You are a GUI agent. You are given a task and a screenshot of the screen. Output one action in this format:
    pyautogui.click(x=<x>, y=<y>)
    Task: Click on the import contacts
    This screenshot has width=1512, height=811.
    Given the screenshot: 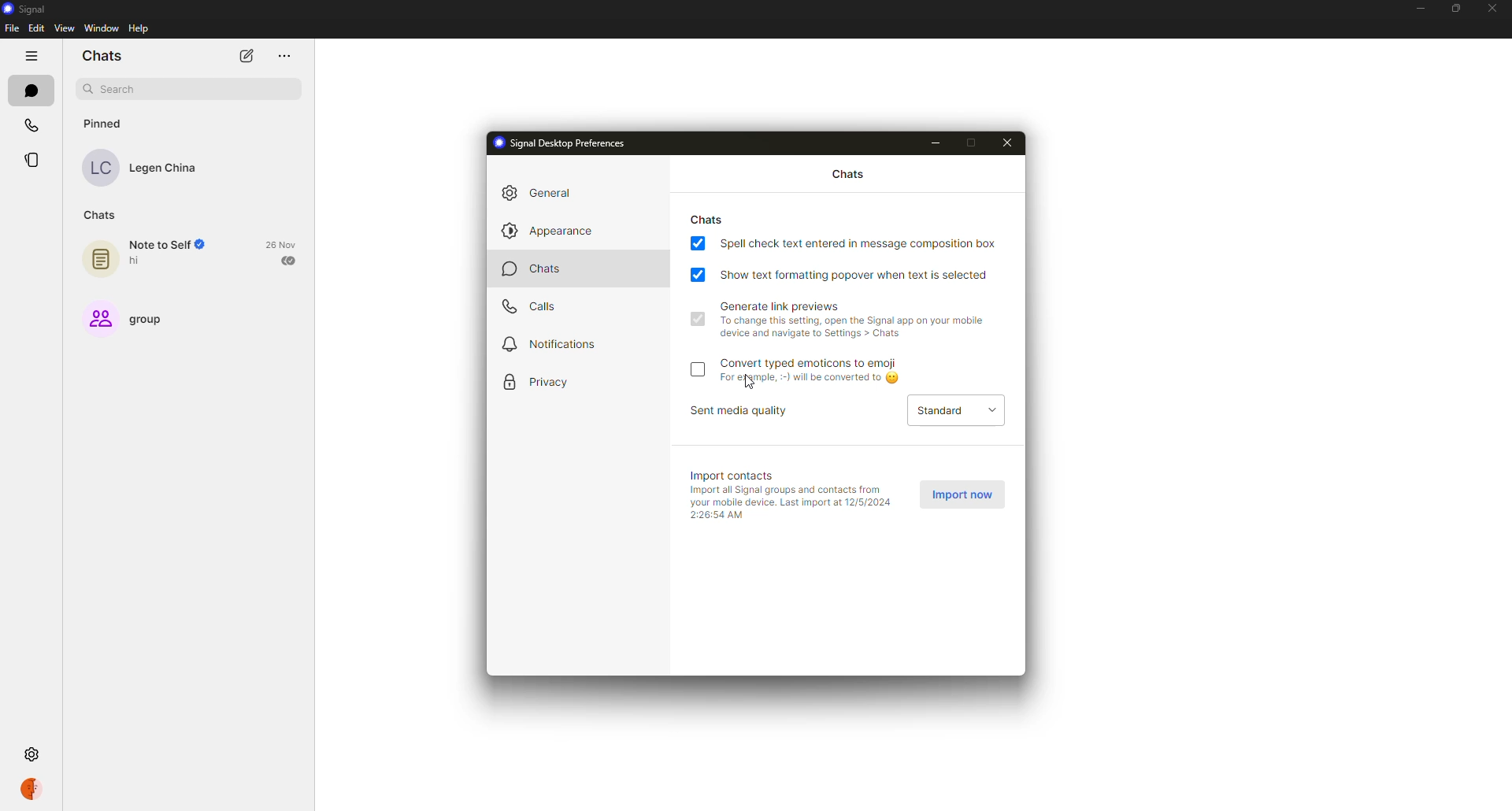 What is the action you would take?
    pyautogui.click(x=735, y=476)
    